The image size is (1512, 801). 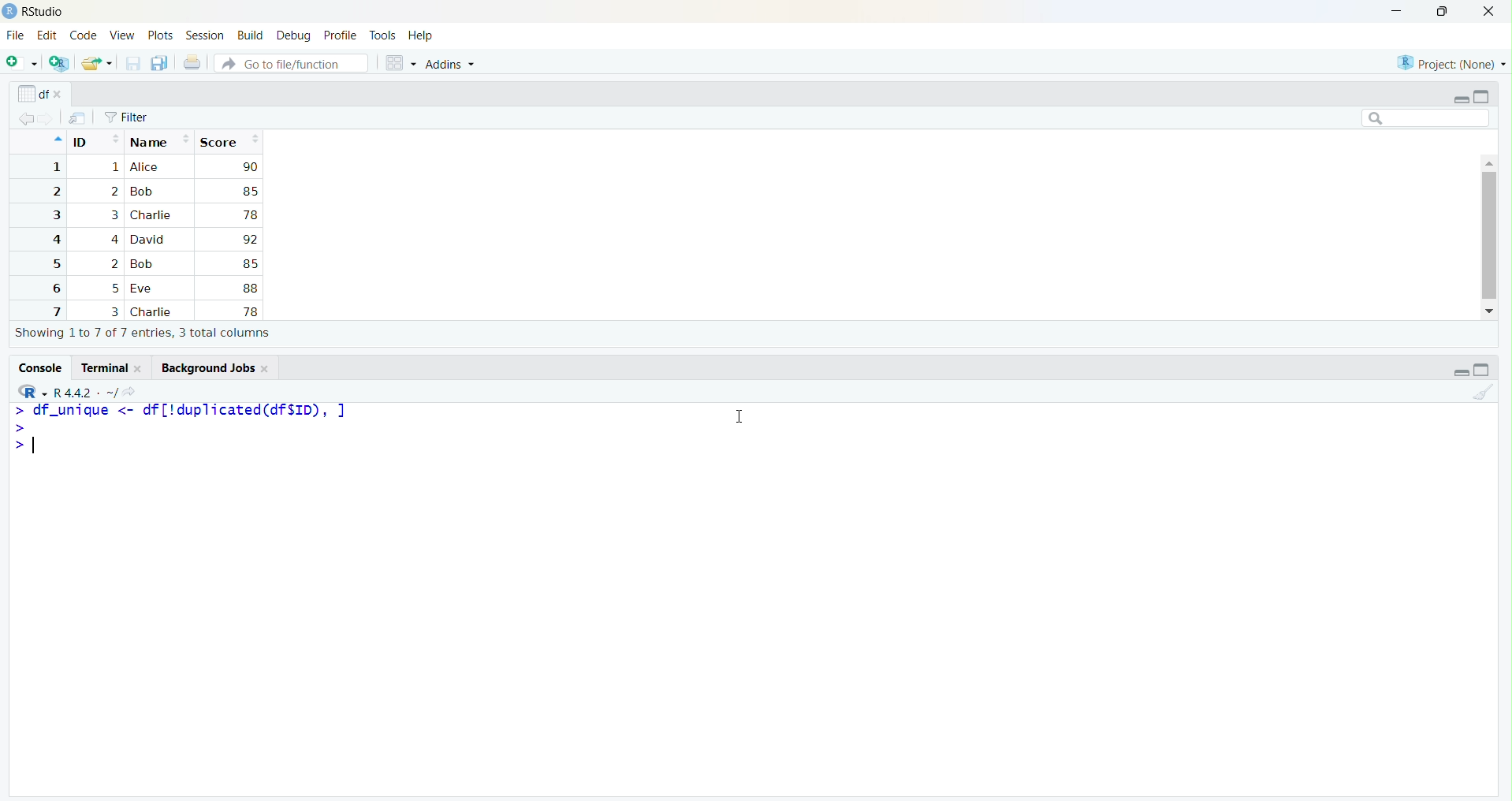 What do you see at coordinates (32, 93) in the screenshot?
I see `df` at bounding box center [32, 93].